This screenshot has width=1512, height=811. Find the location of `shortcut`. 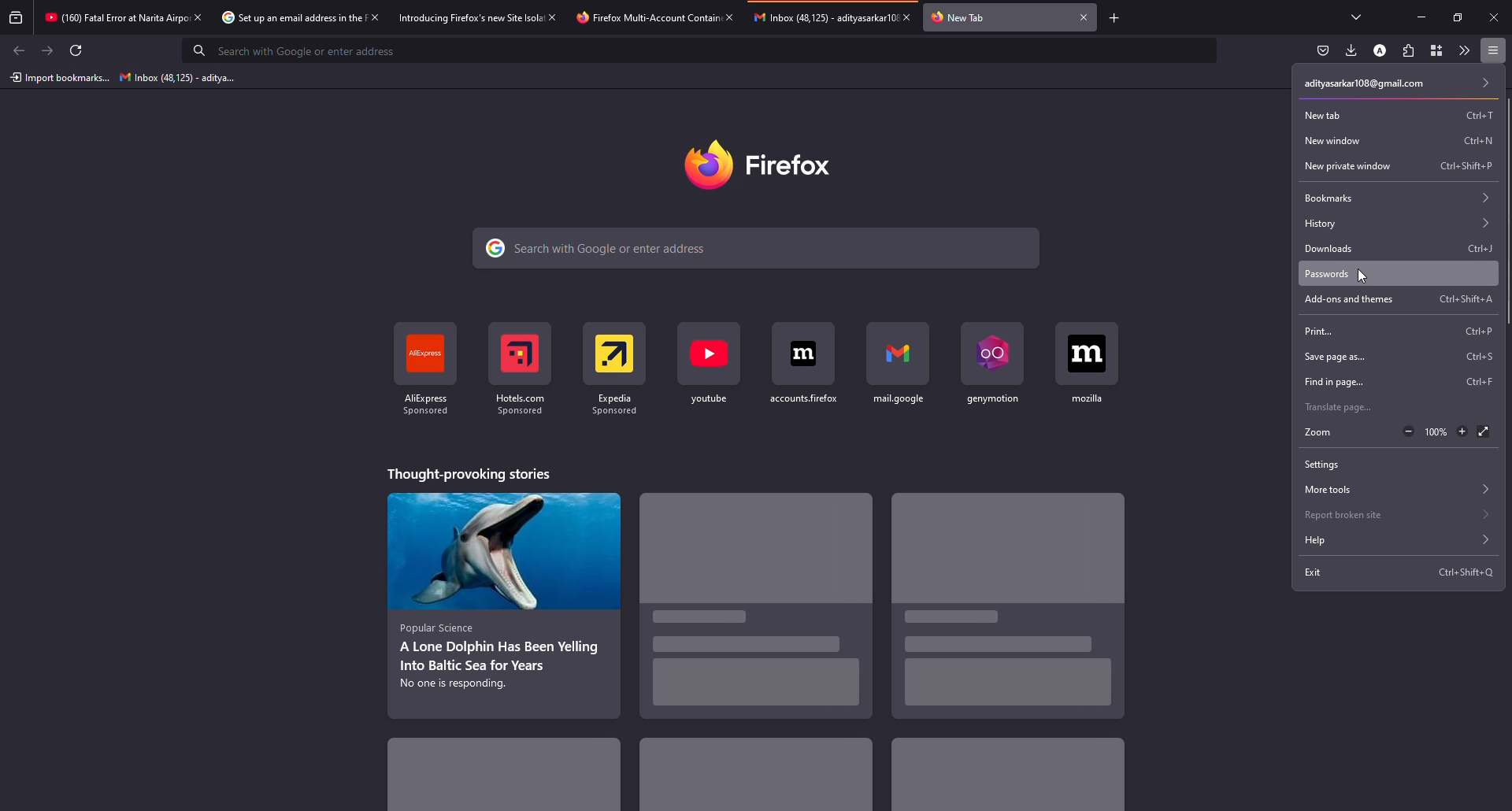

shortcut is located at coordinates (806, 365).